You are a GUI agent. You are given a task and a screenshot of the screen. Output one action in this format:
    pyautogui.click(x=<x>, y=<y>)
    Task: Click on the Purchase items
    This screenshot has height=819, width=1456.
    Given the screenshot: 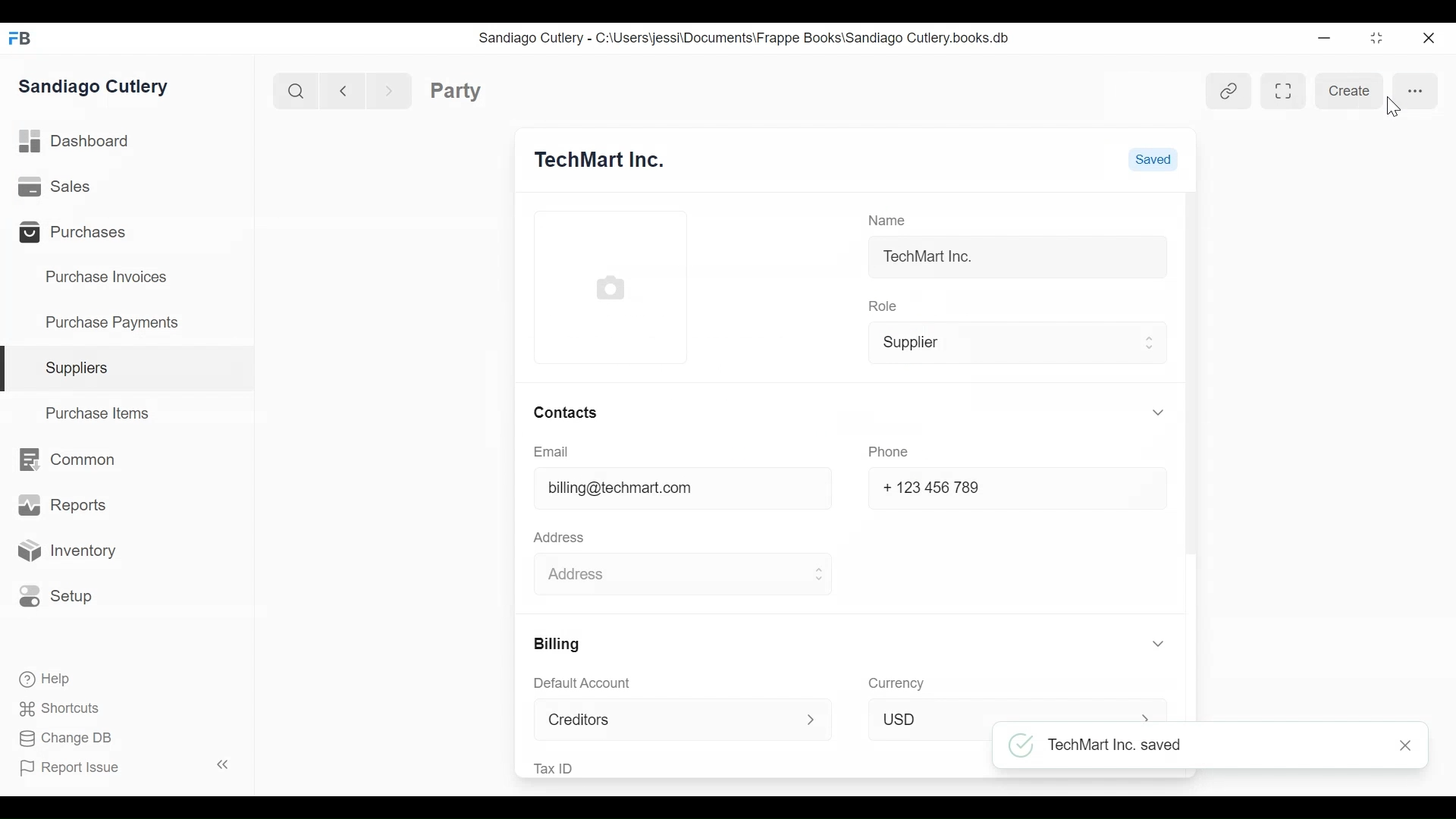 What is the action you would take?
    pyautogui.click(x=100, y=416)
    